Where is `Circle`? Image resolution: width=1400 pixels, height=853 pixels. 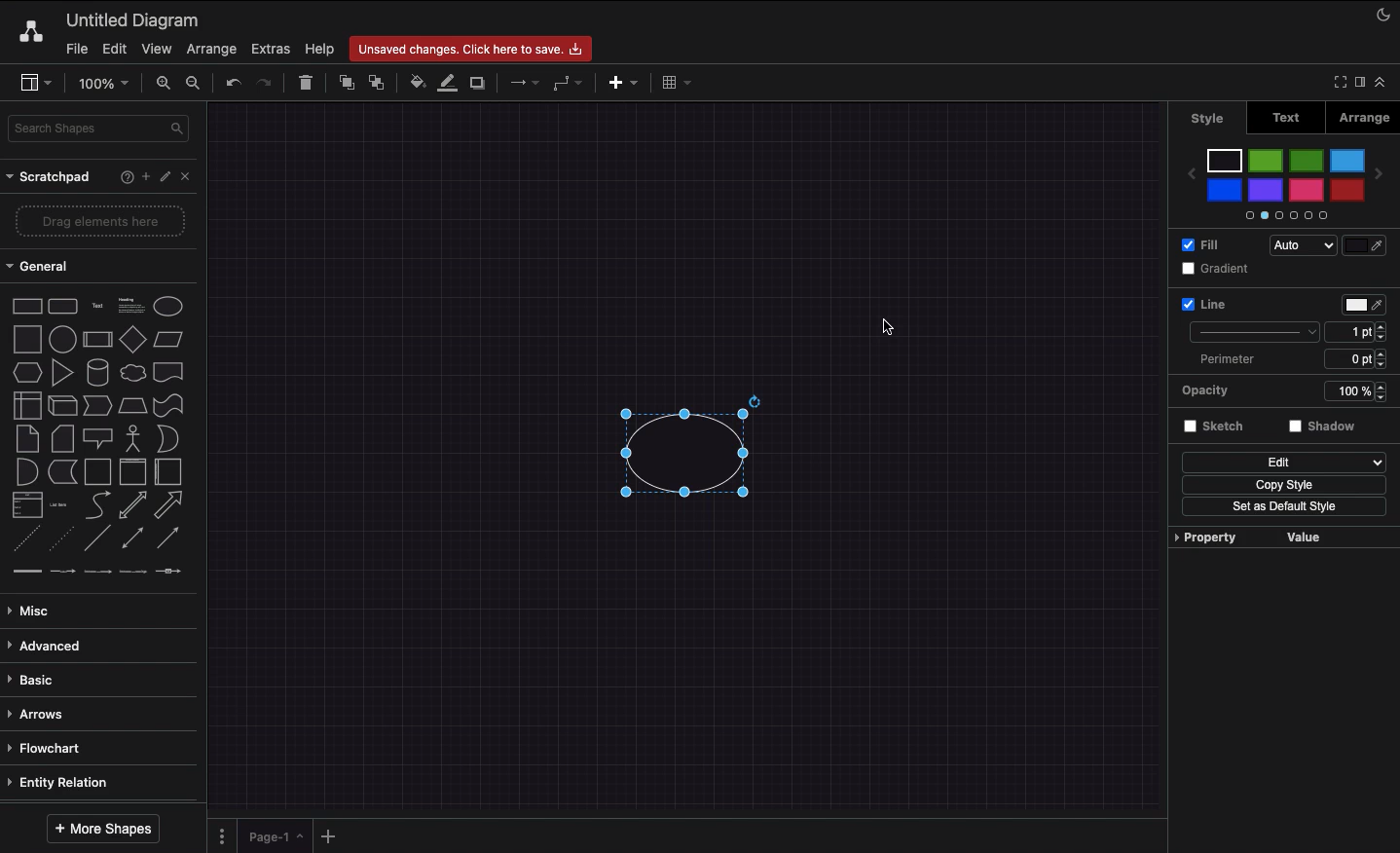
Circle is located at coordinates (689, 454).